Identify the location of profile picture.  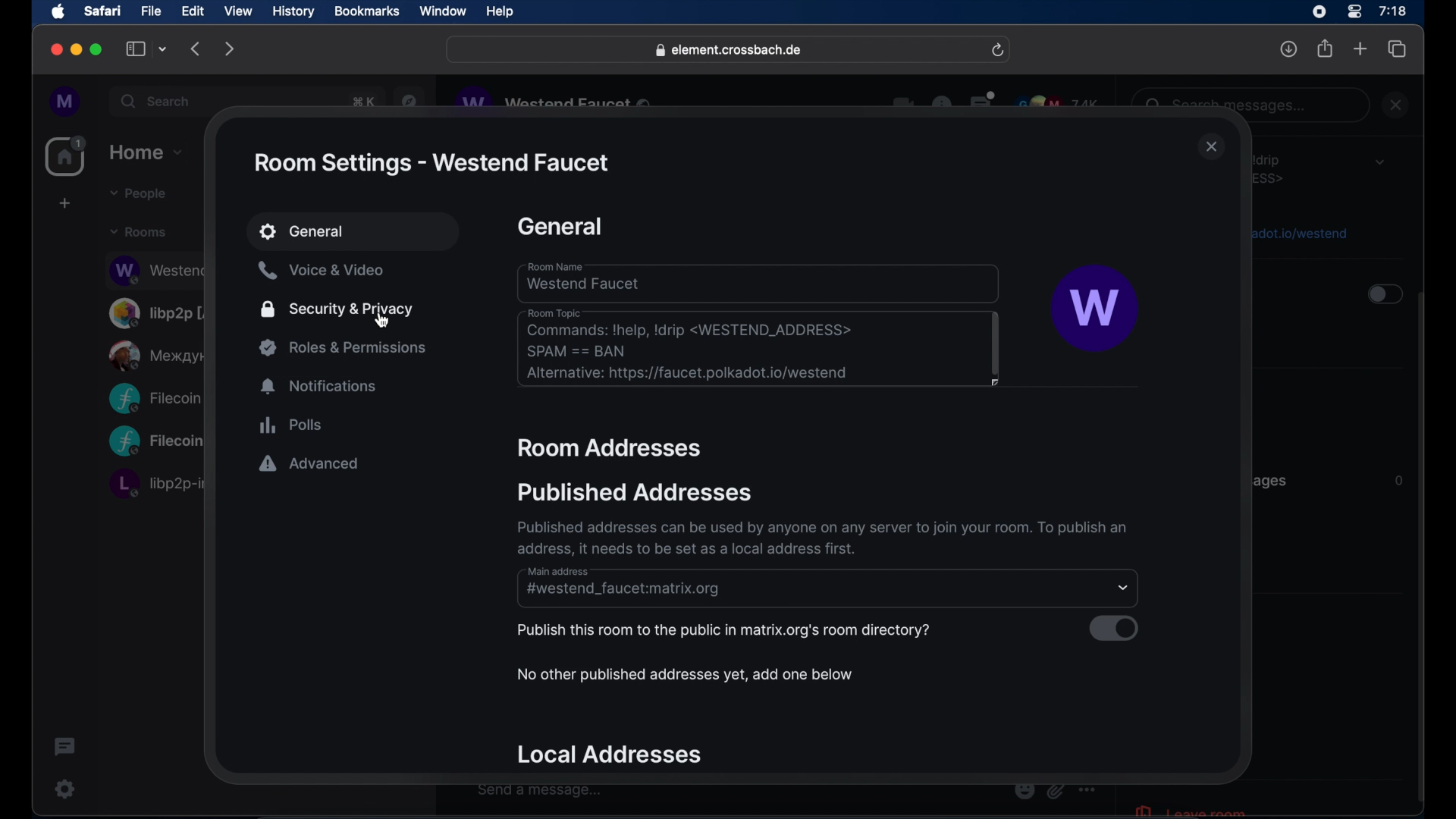
(1096, 309).